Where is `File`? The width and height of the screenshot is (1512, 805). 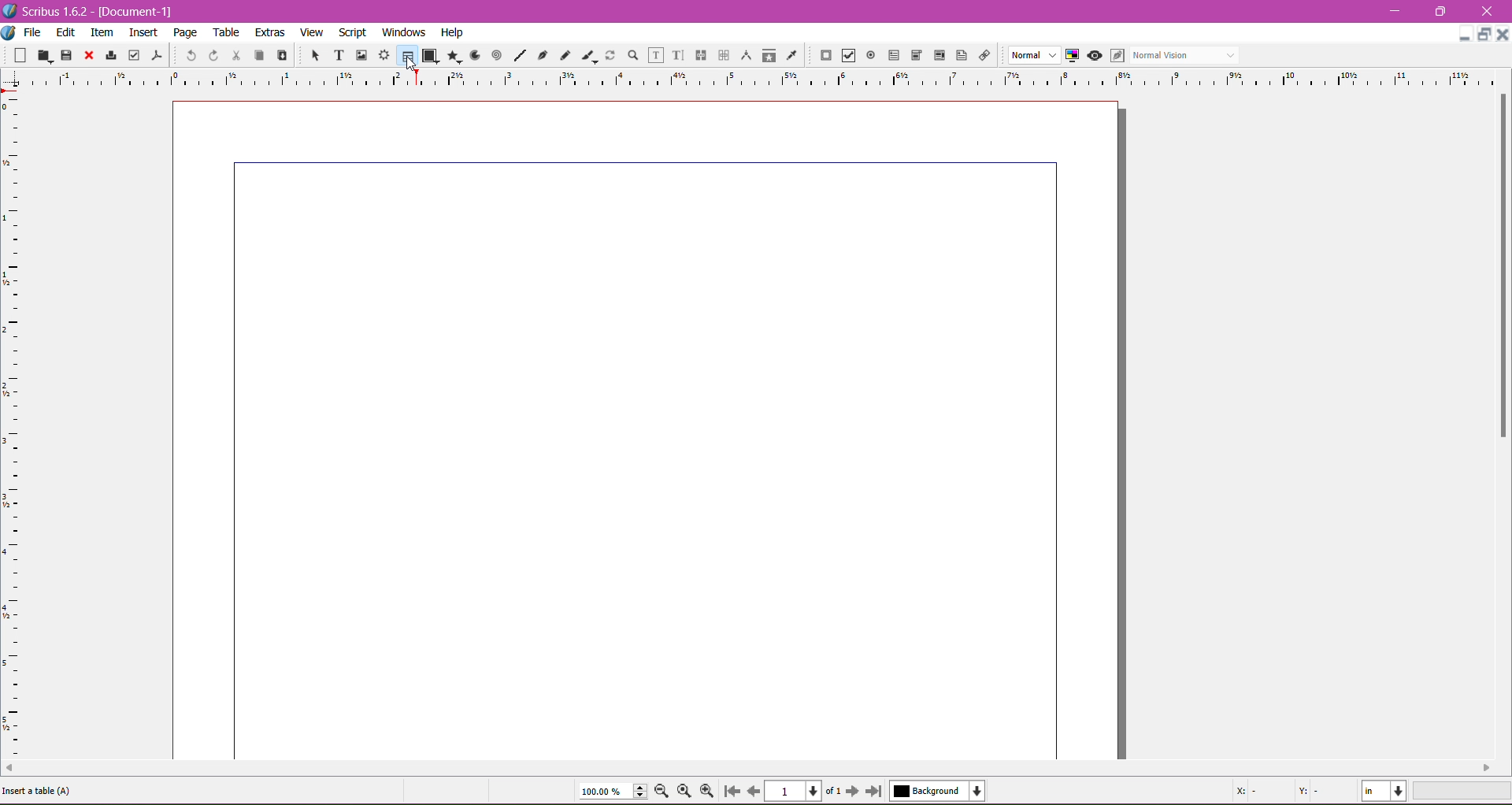 File is located at coordinates (32, 32).